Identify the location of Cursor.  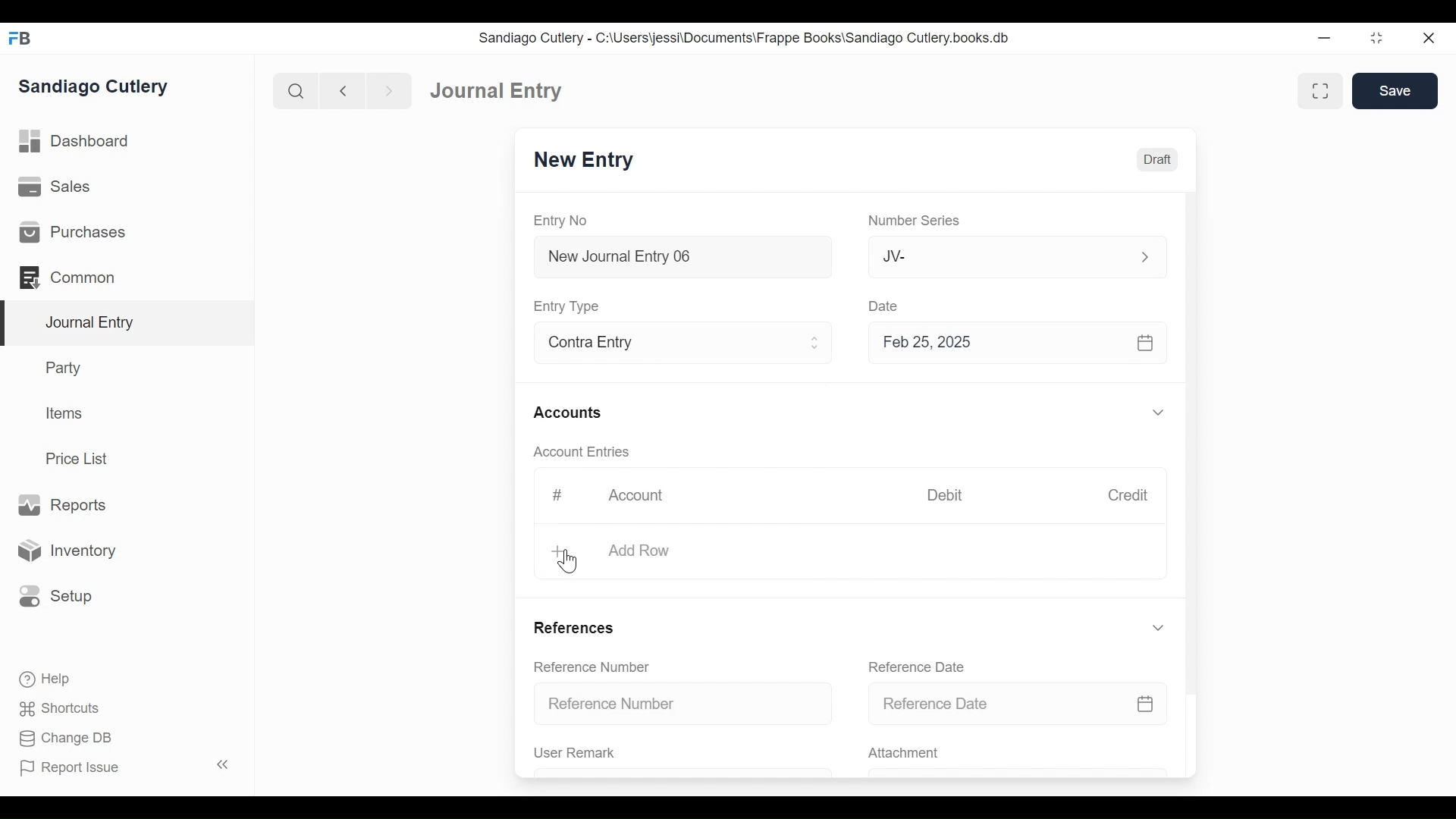
(571, 563).